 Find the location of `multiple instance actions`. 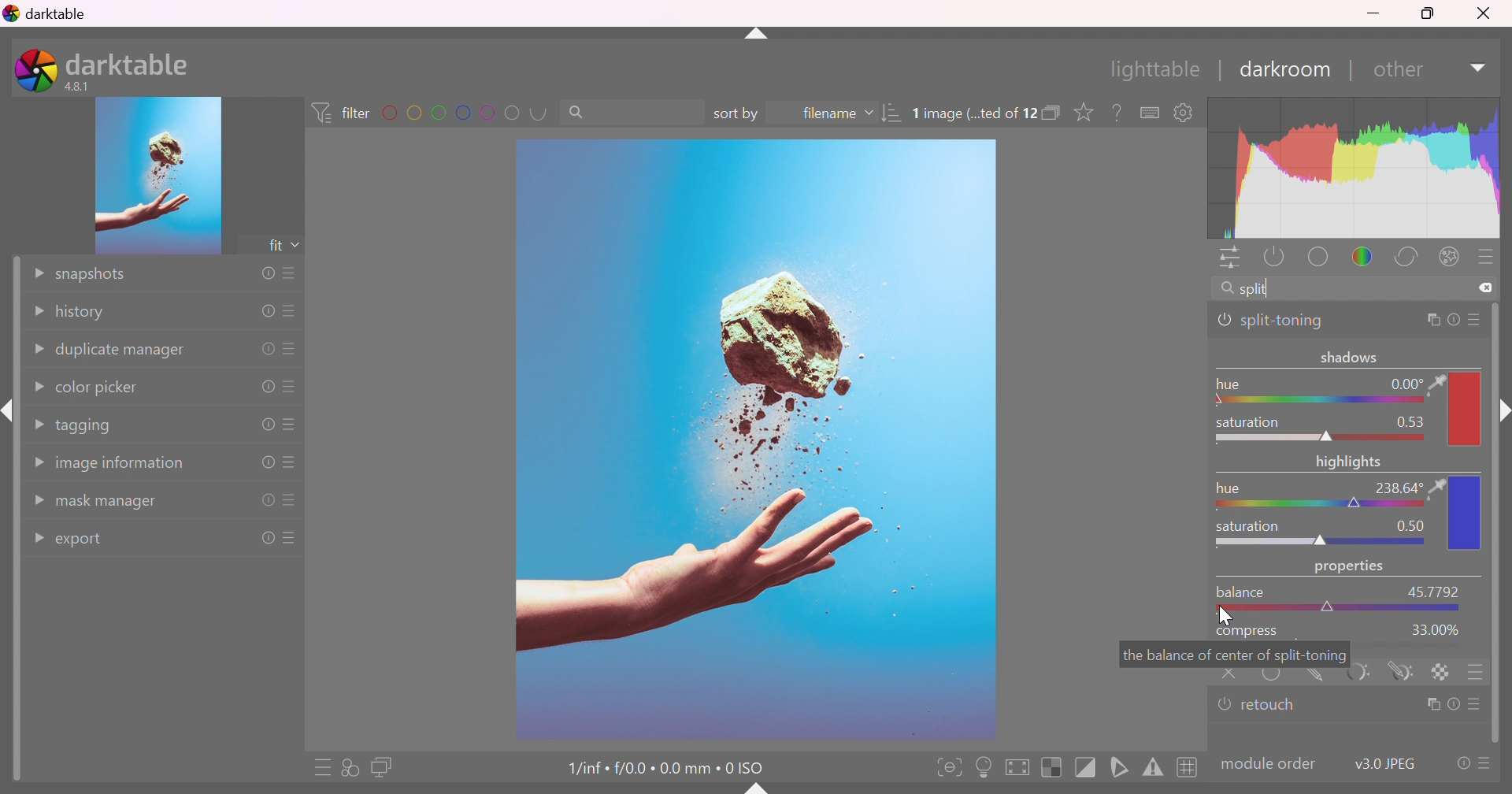

multiple instance actions is located at coordinates (1433, 319).